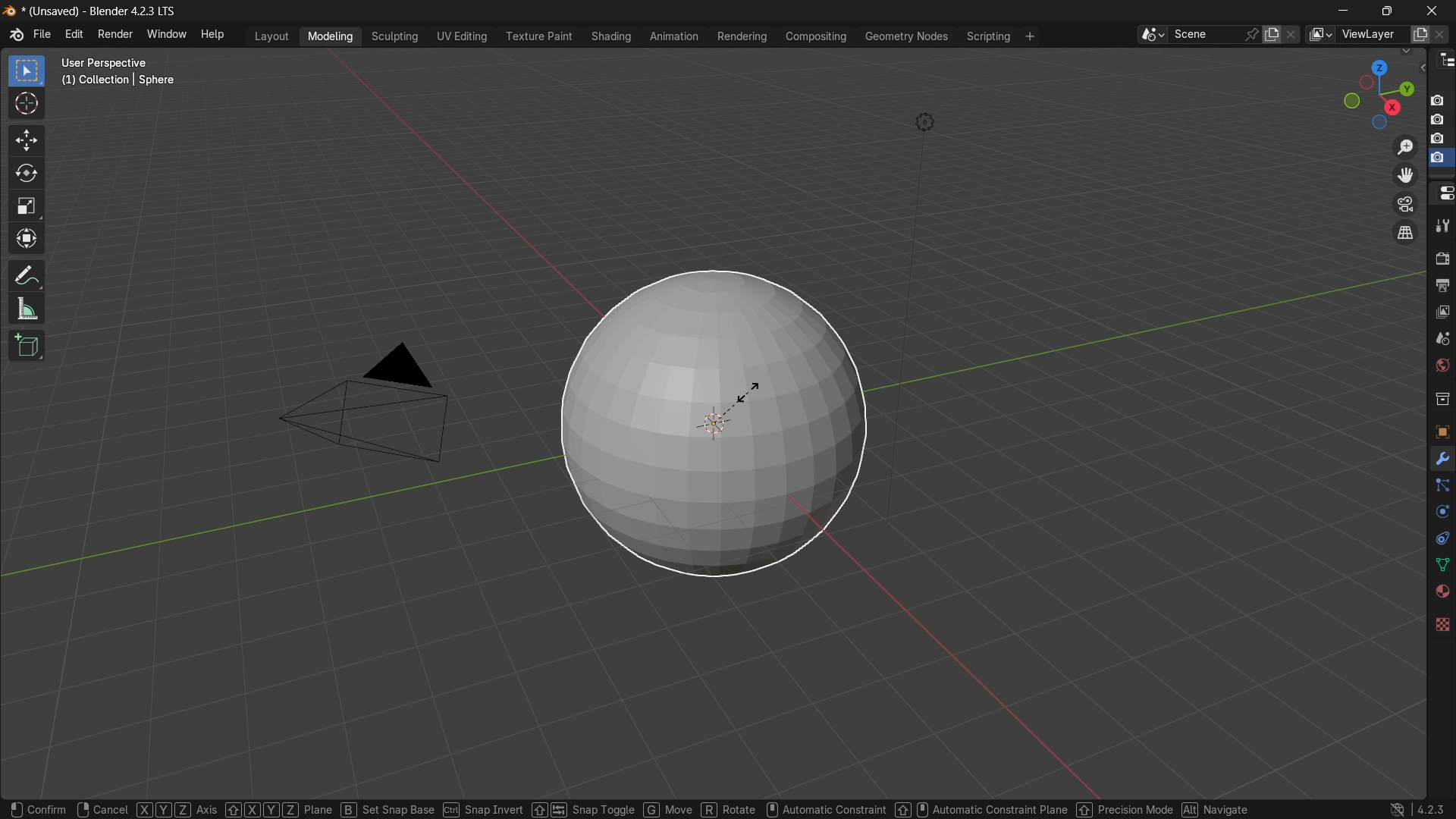  What do you see at coordinates (27, 104) in the screenshot?
I see `cursor` at bounding box center [27, 104].